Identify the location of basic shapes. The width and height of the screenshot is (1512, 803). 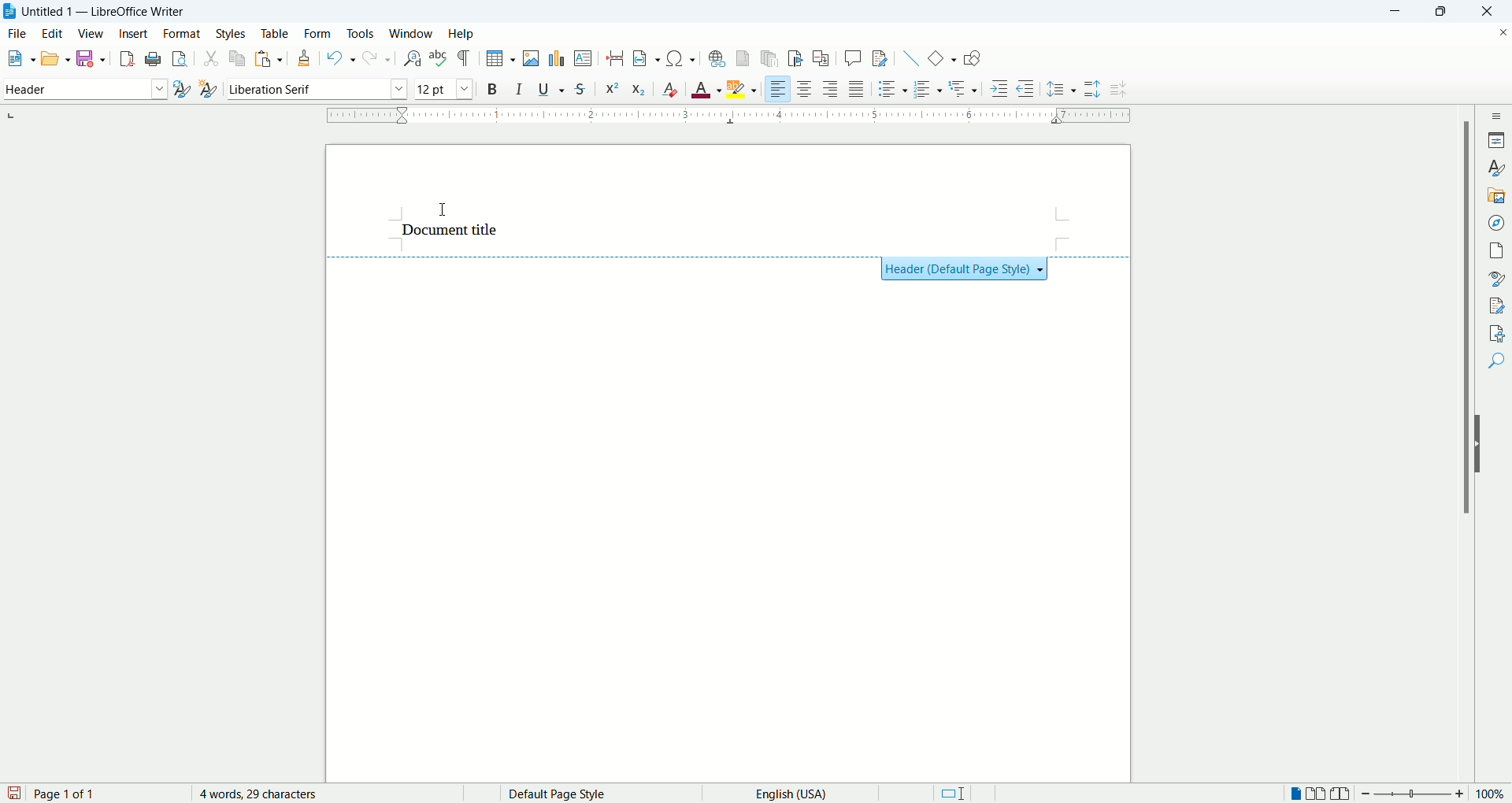
(943, 58).